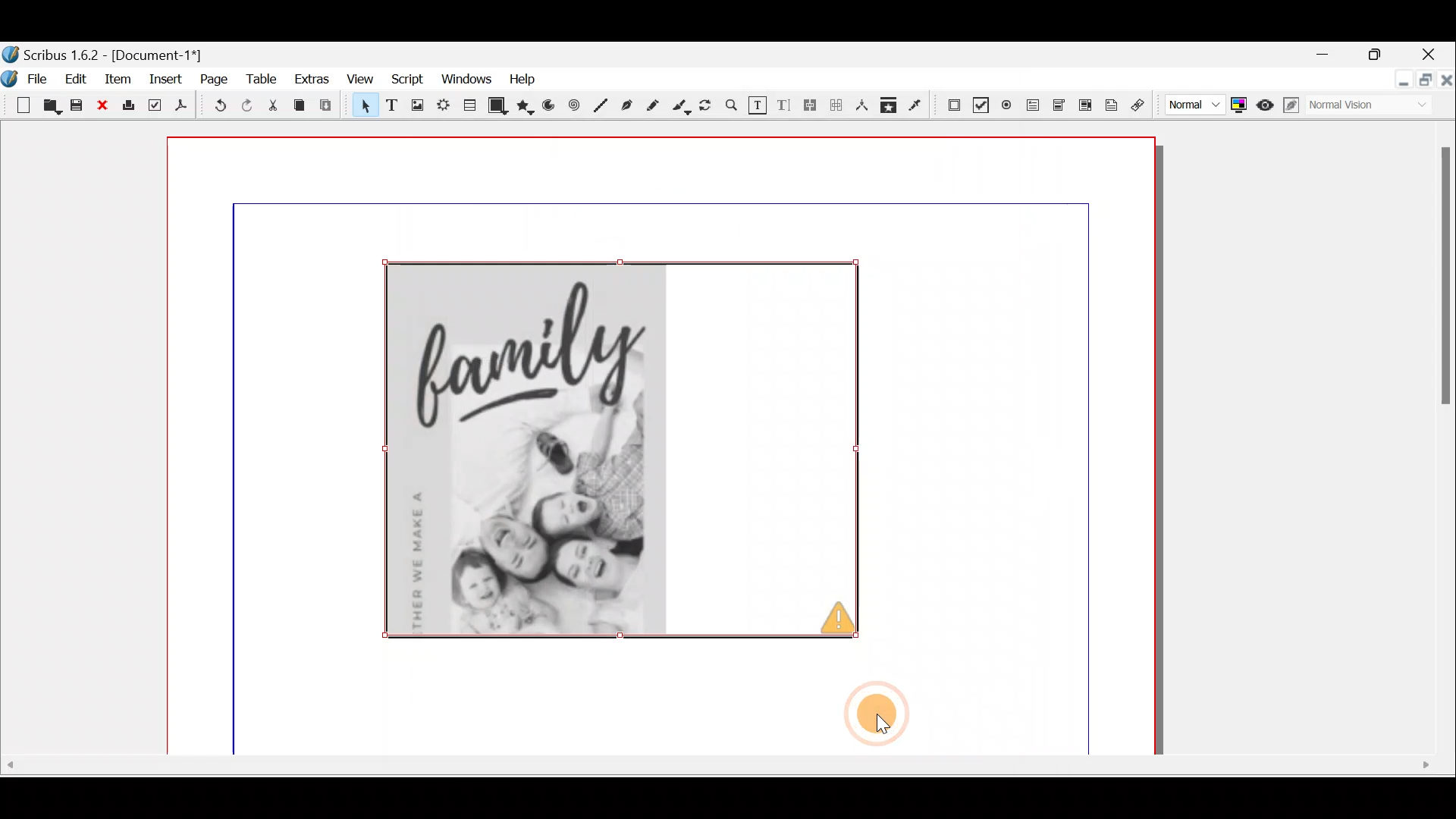  What do you see at coordinates (651, 106) in the screenshot?
I see `Freehand line` at bounding box center [651, 106].